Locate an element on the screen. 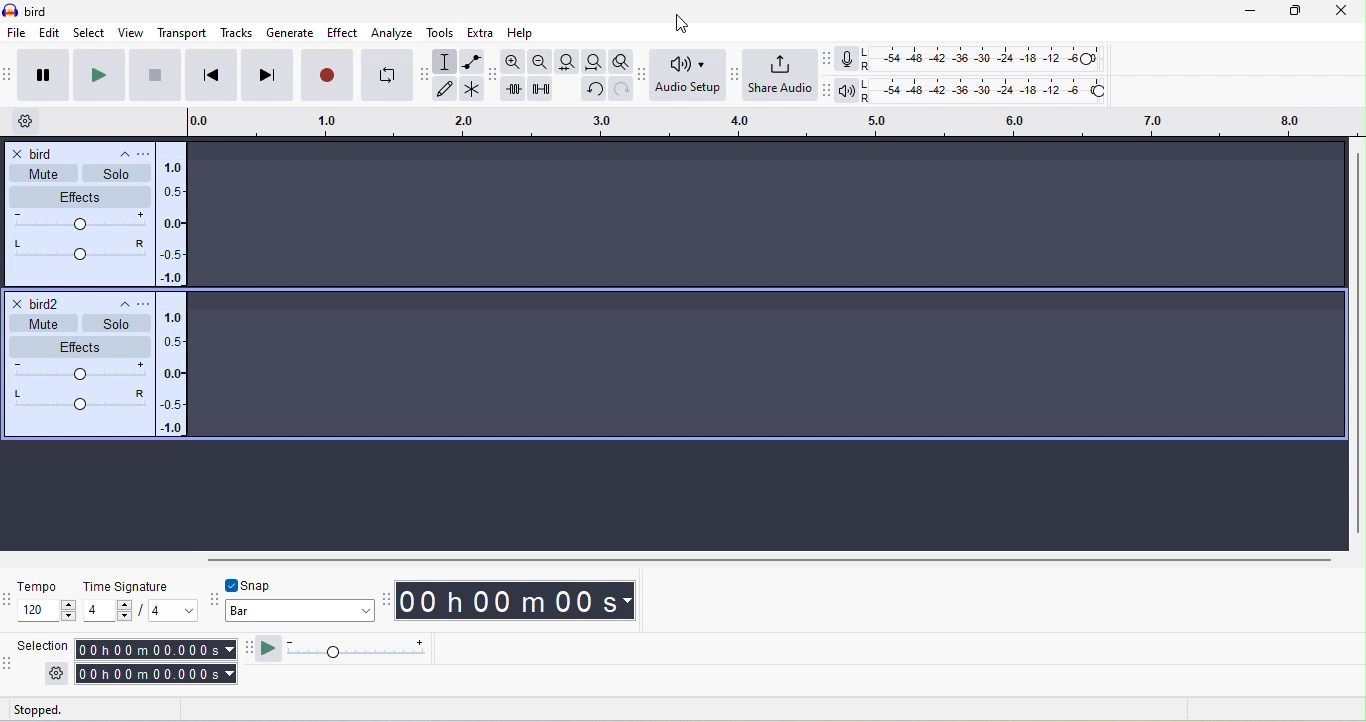 The width and height of the screenshot is (1366, 722). skip to end is located at coordinates (269, 76).